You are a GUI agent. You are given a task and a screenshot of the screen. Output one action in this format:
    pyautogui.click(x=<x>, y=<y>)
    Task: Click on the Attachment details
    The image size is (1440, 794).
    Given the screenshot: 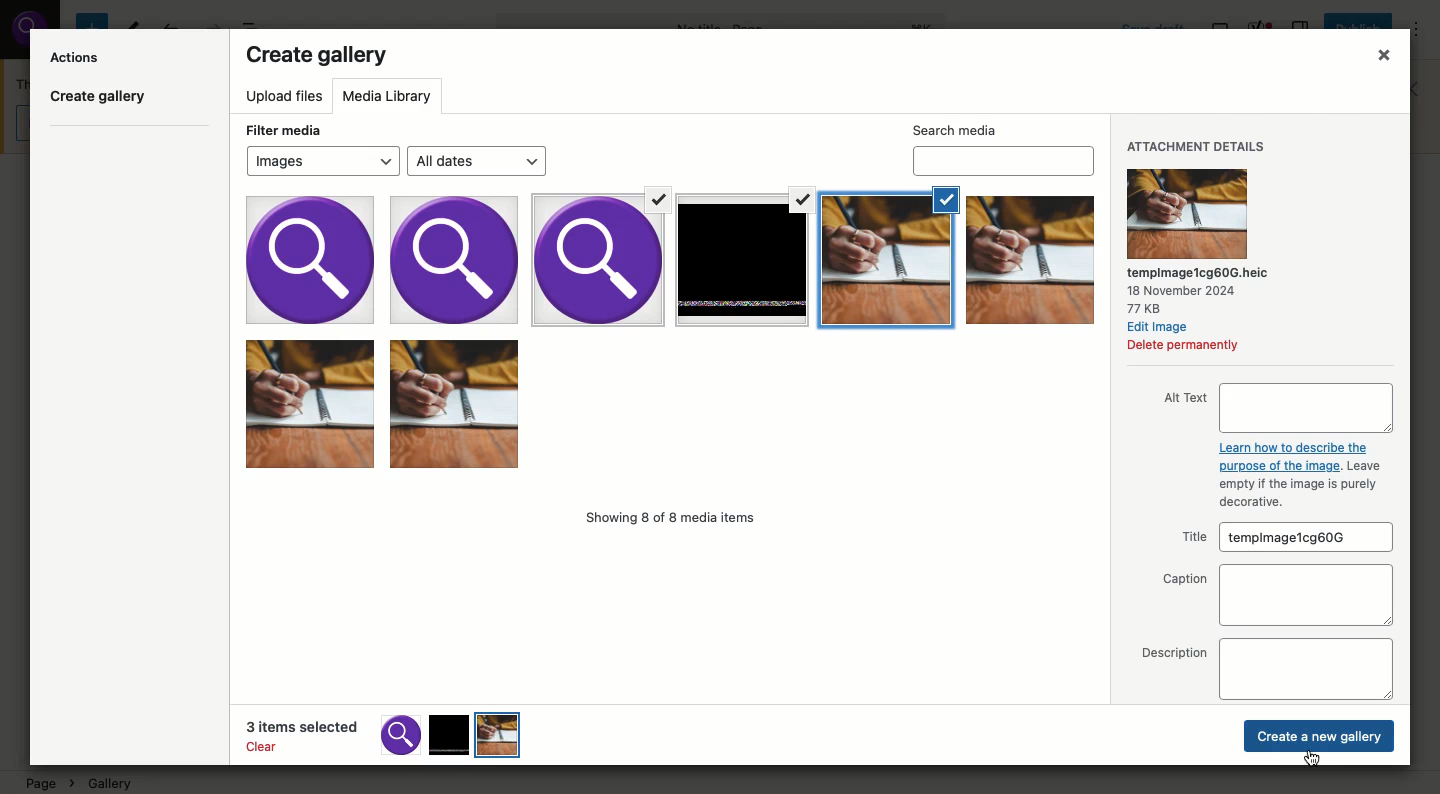 What is the action you would take?
    pyautogui.click(x=1188, y=212)
    